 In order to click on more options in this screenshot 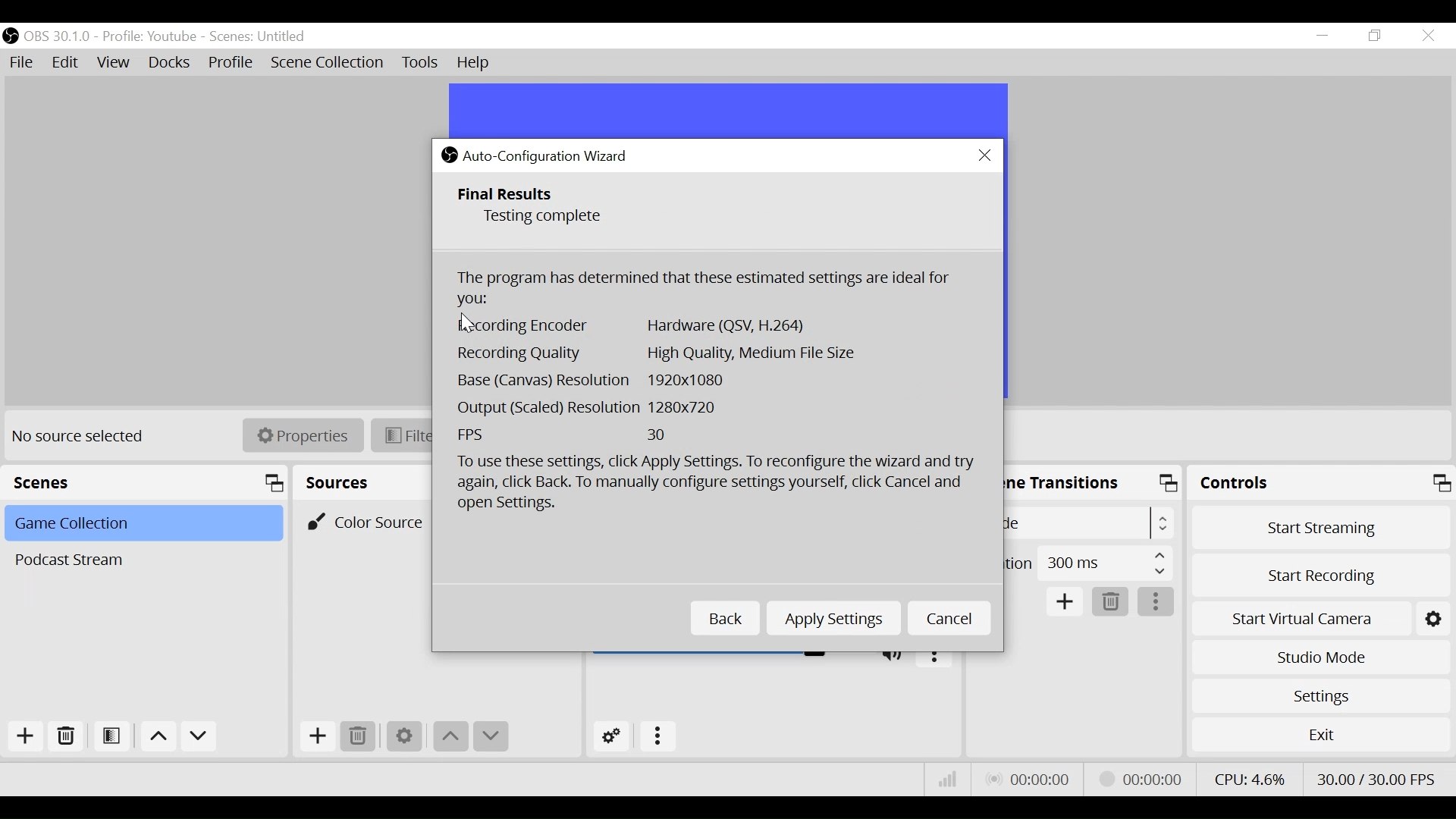, I will do `click(659, 738)`.